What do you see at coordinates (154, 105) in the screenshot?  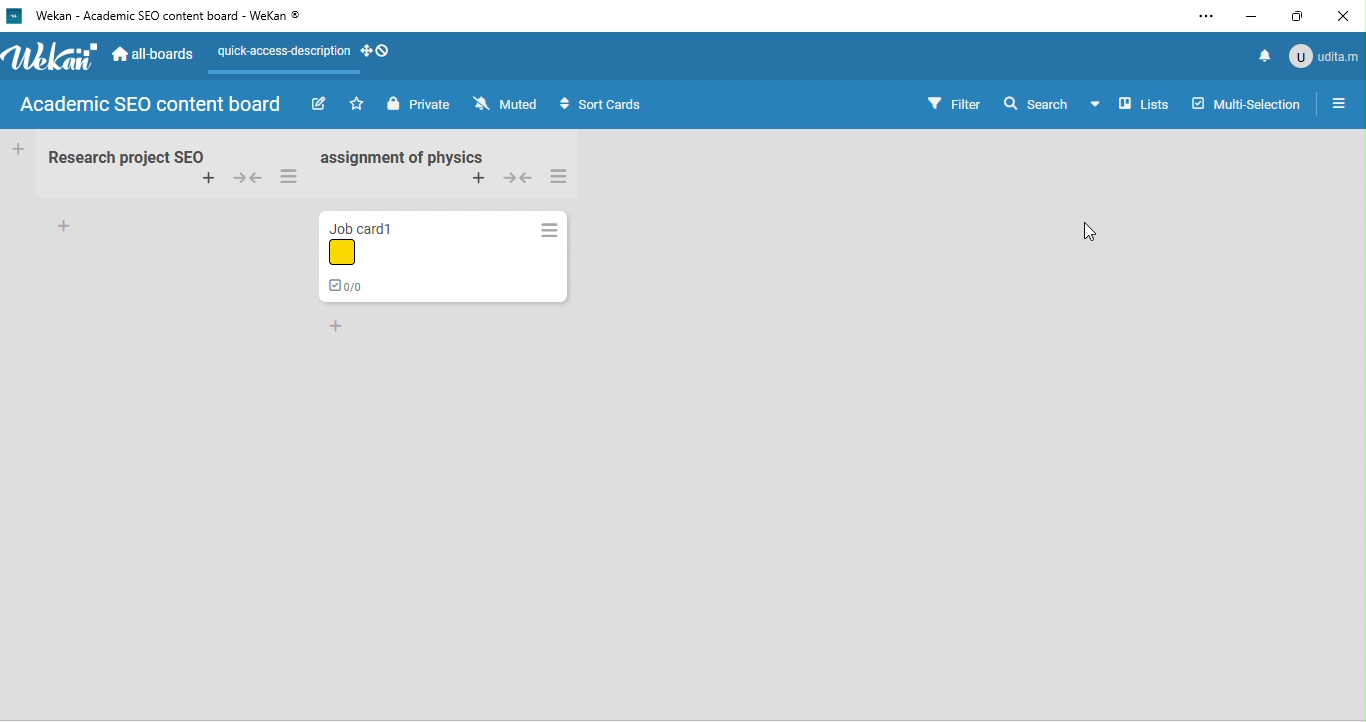 I see `academic seo content board` at bounding box center [154, 105].